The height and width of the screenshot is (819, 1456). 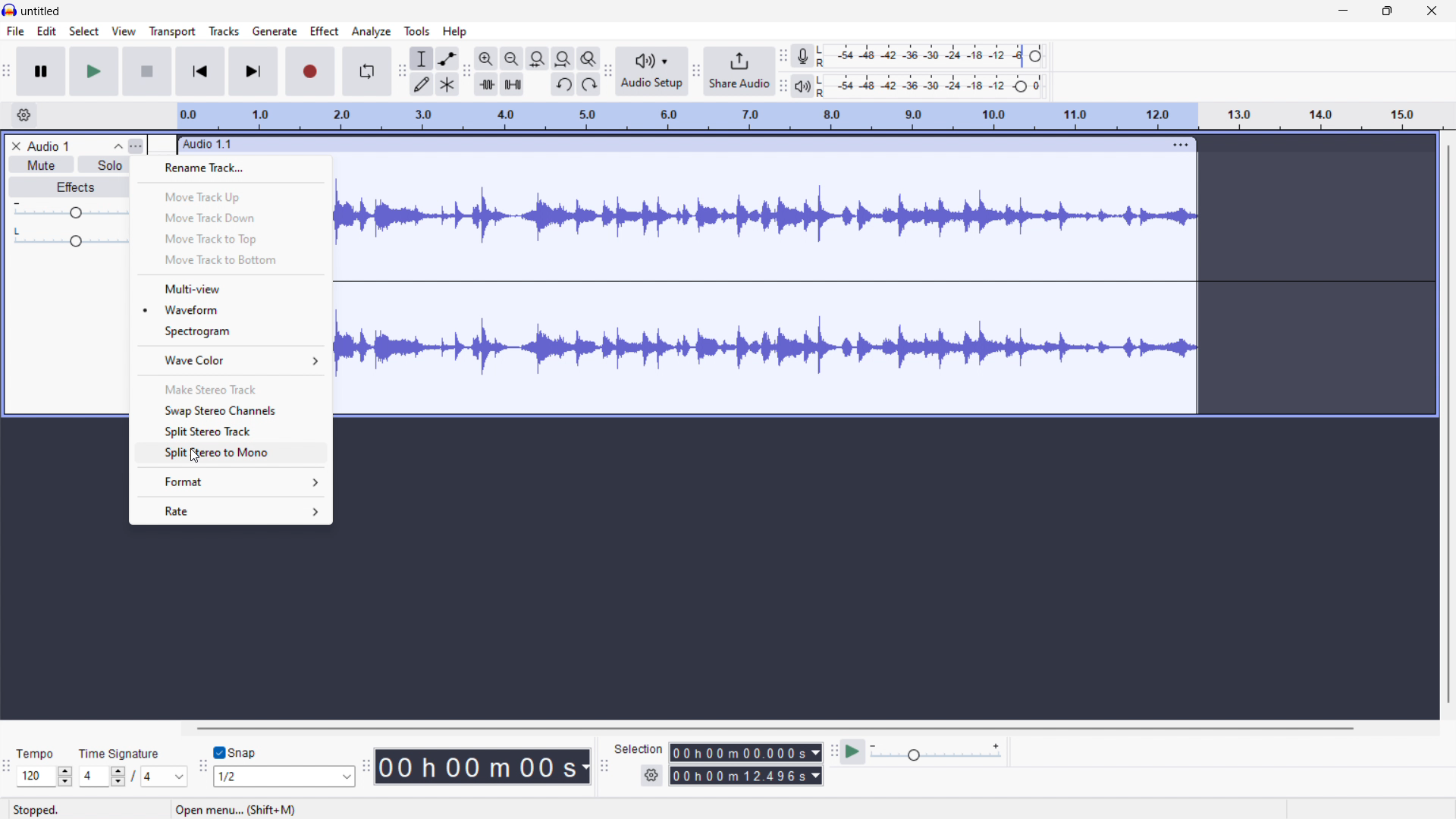 What do you see at coordinates (1173, 145) in the screenshot?
I see `track options` at bounding box center [1173, 145].